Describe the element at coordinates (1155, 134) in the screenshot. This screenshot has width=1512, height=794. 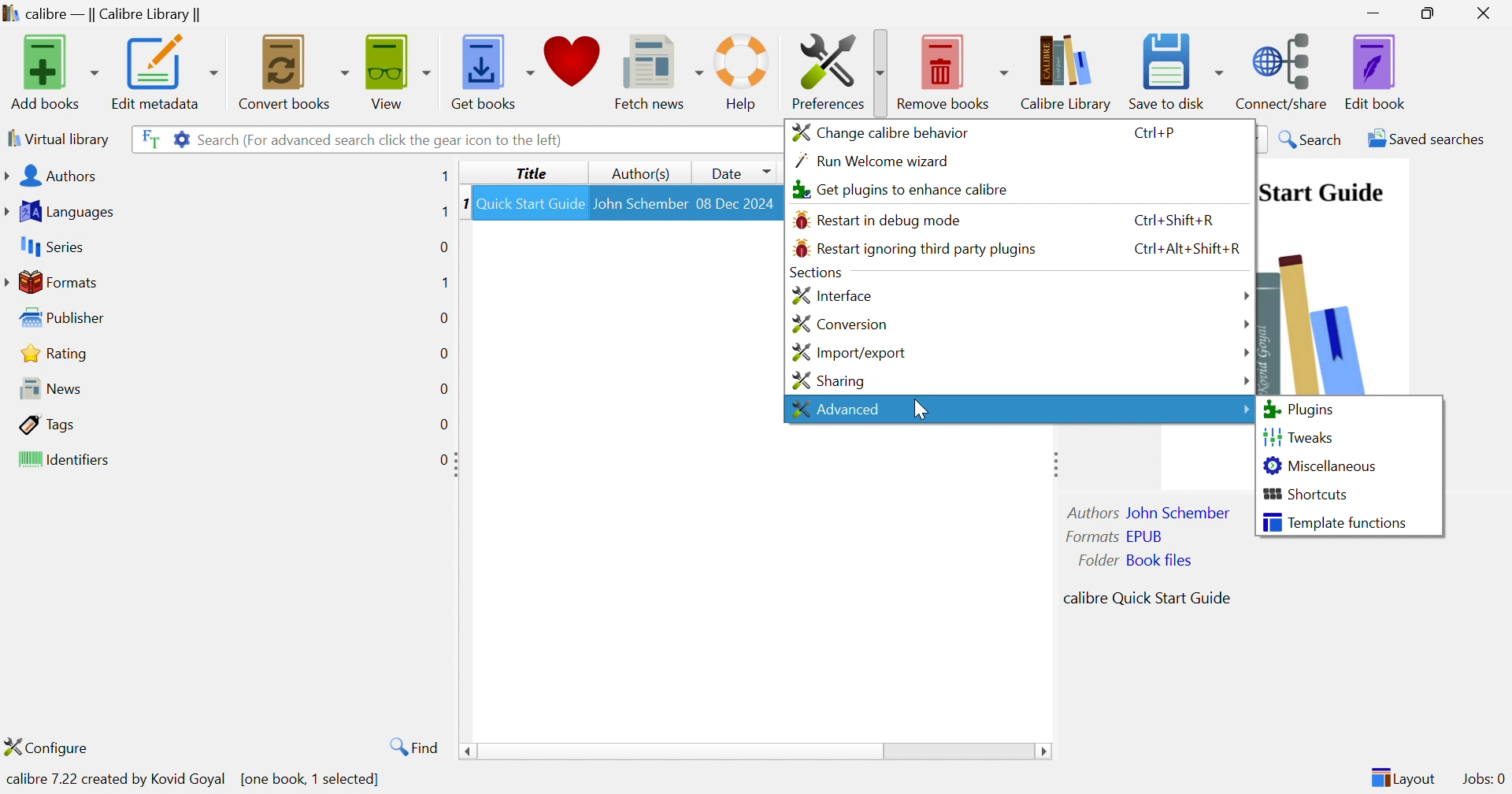
I see `Ctrl+P` at that location.